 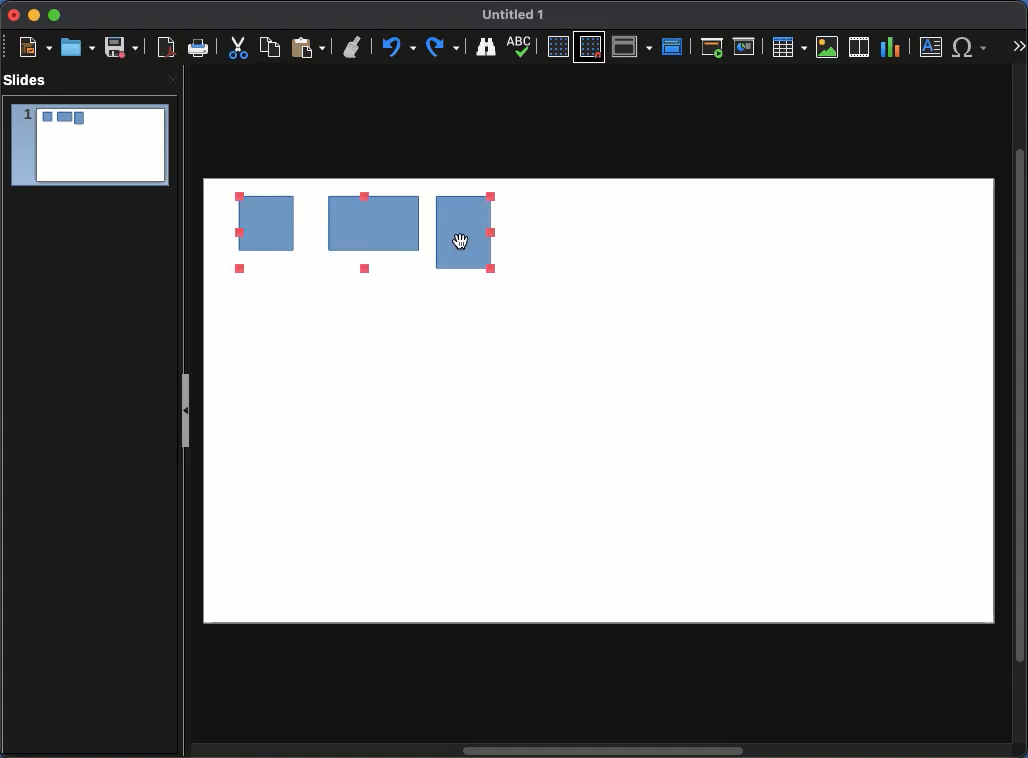 What do you see at coordinates (14, 16) in the screenshot?
I see `Close` at bounding box center [14, 16].